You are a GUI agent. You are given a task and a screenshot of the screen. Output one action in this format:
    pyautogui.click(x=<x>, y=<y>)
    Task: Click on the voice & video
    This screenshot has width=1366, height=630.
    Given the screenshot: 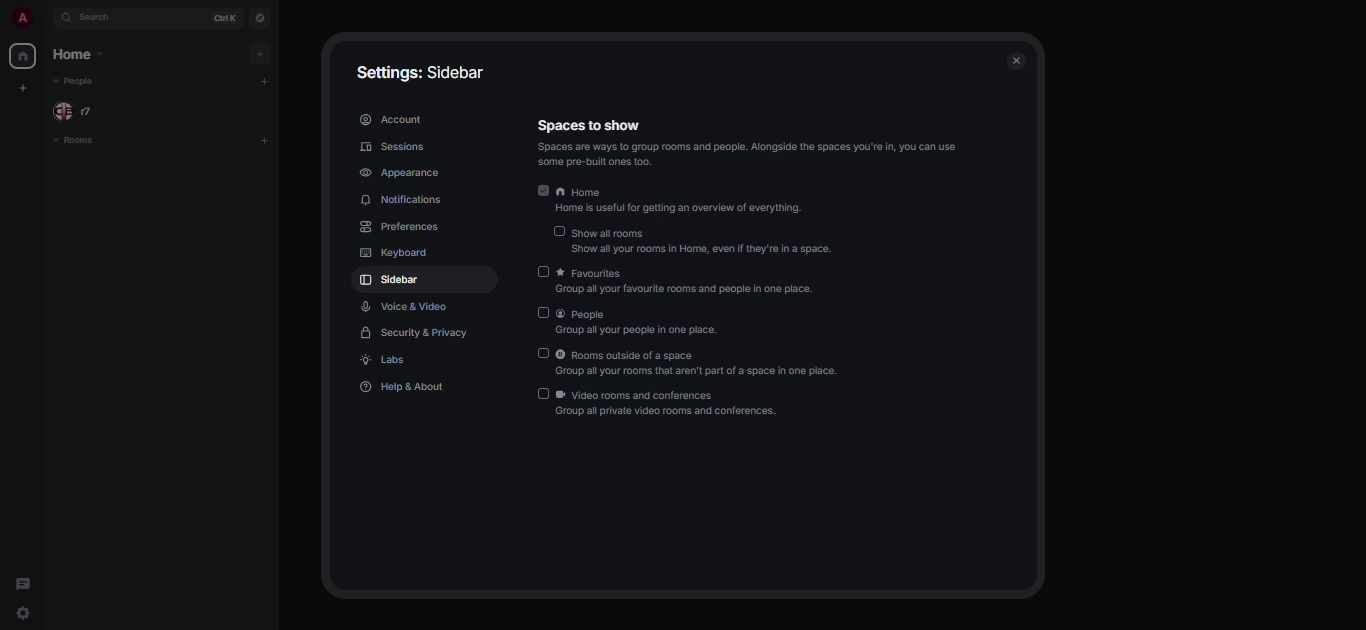 What is the action you would take?
    pyautogui.click(x=407, y=306)
    